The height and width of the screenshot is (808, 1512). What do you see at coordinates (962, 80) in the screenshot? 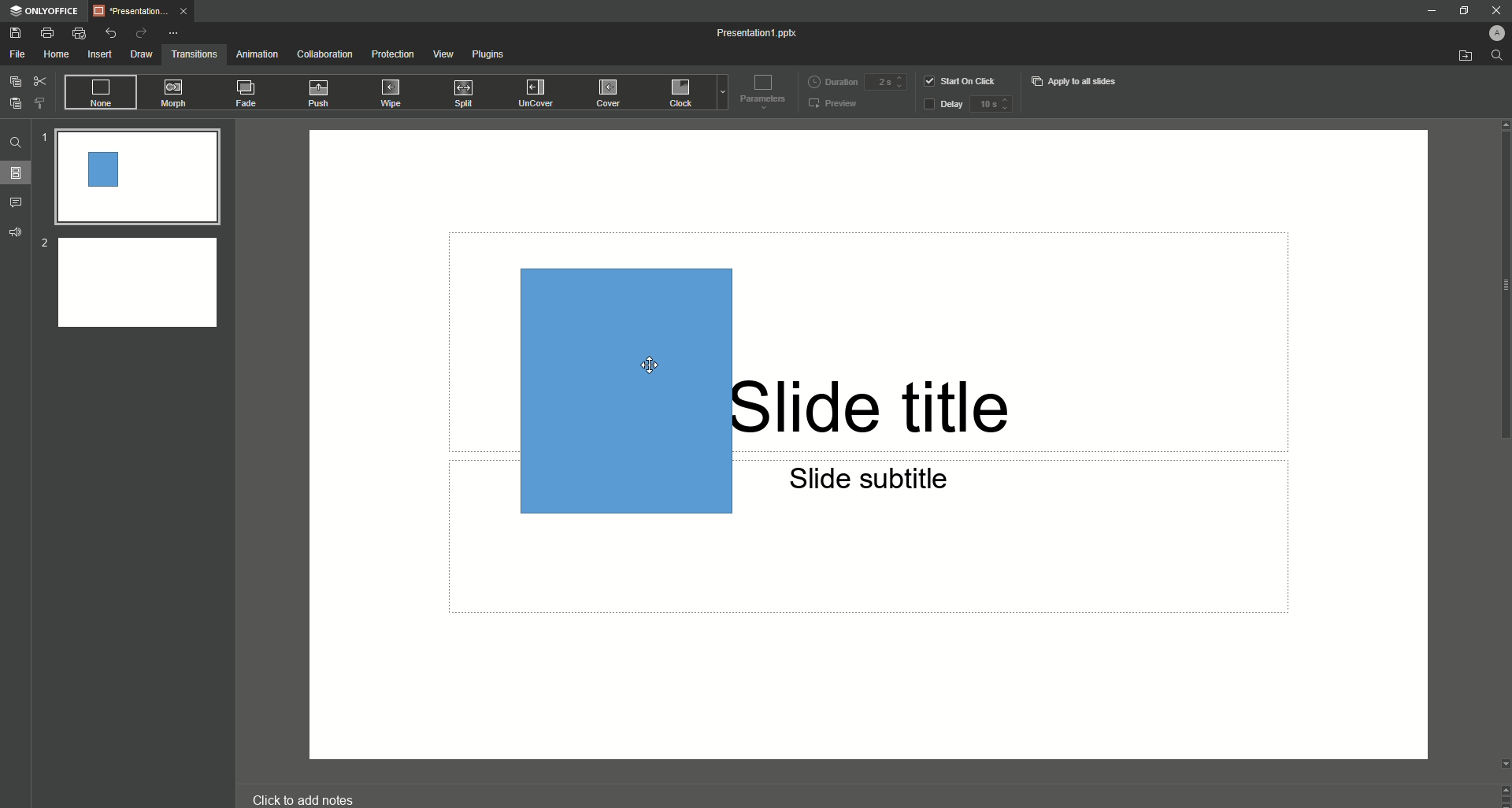
I see `Start on click` at bounding box center [962, 80].